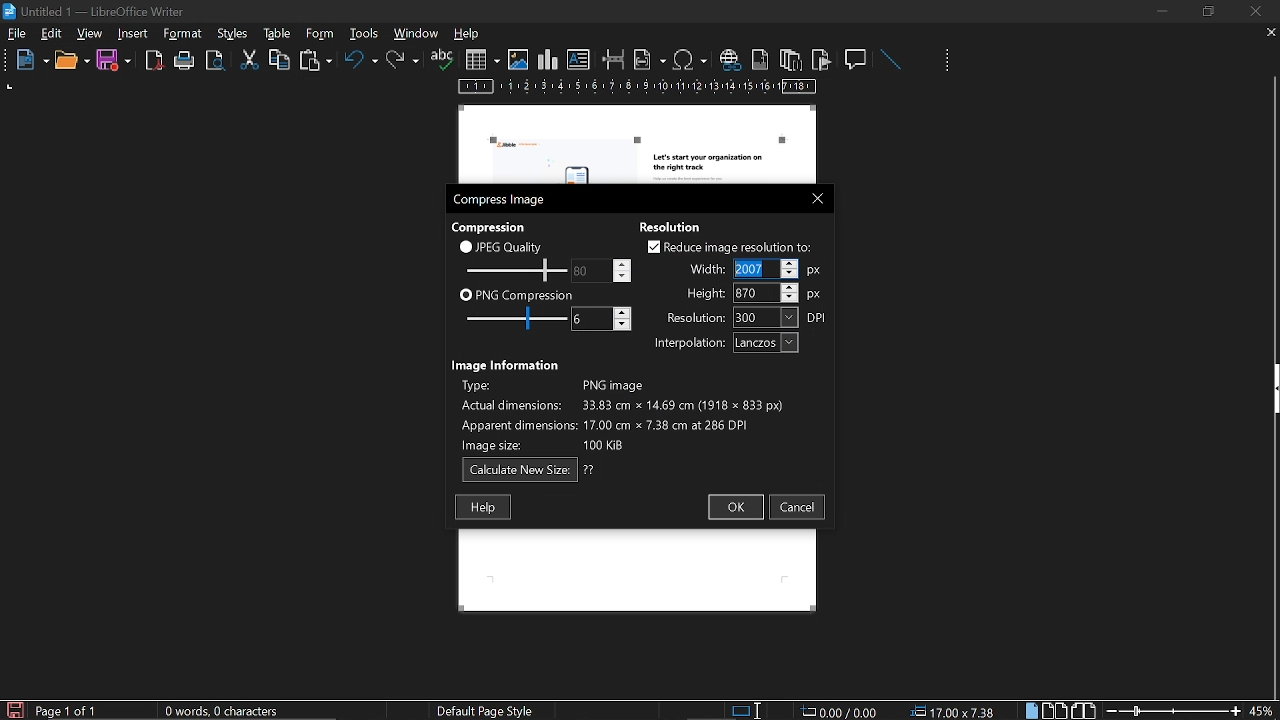 The height and width of the screenshot is (720, 1280). What do you see at coordinates (622, 412) in the screenshot?
I see `image info` at bounding box center [622, 412].